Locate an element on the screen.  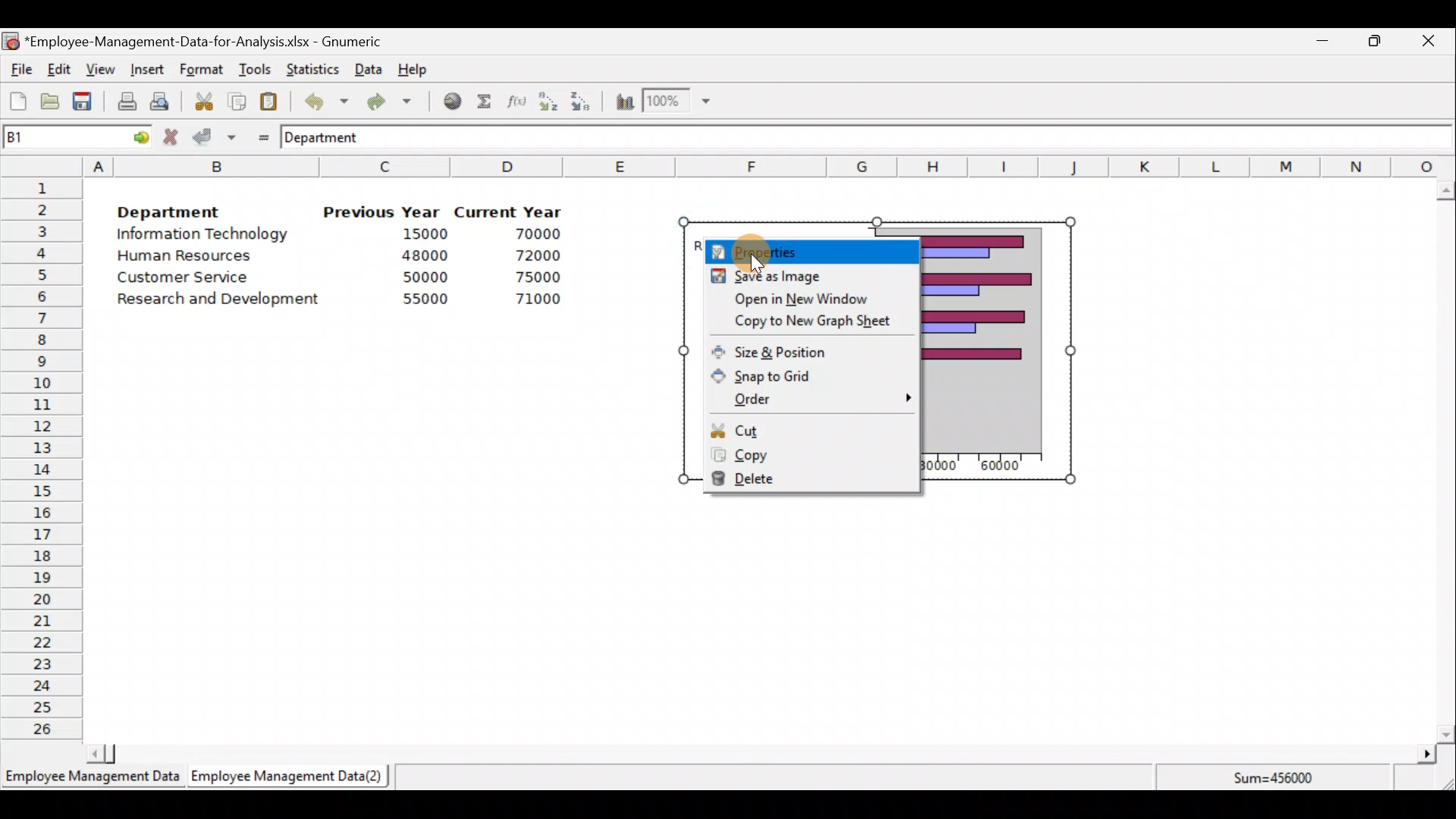
Minimize is located at coordinates (1319, 44).